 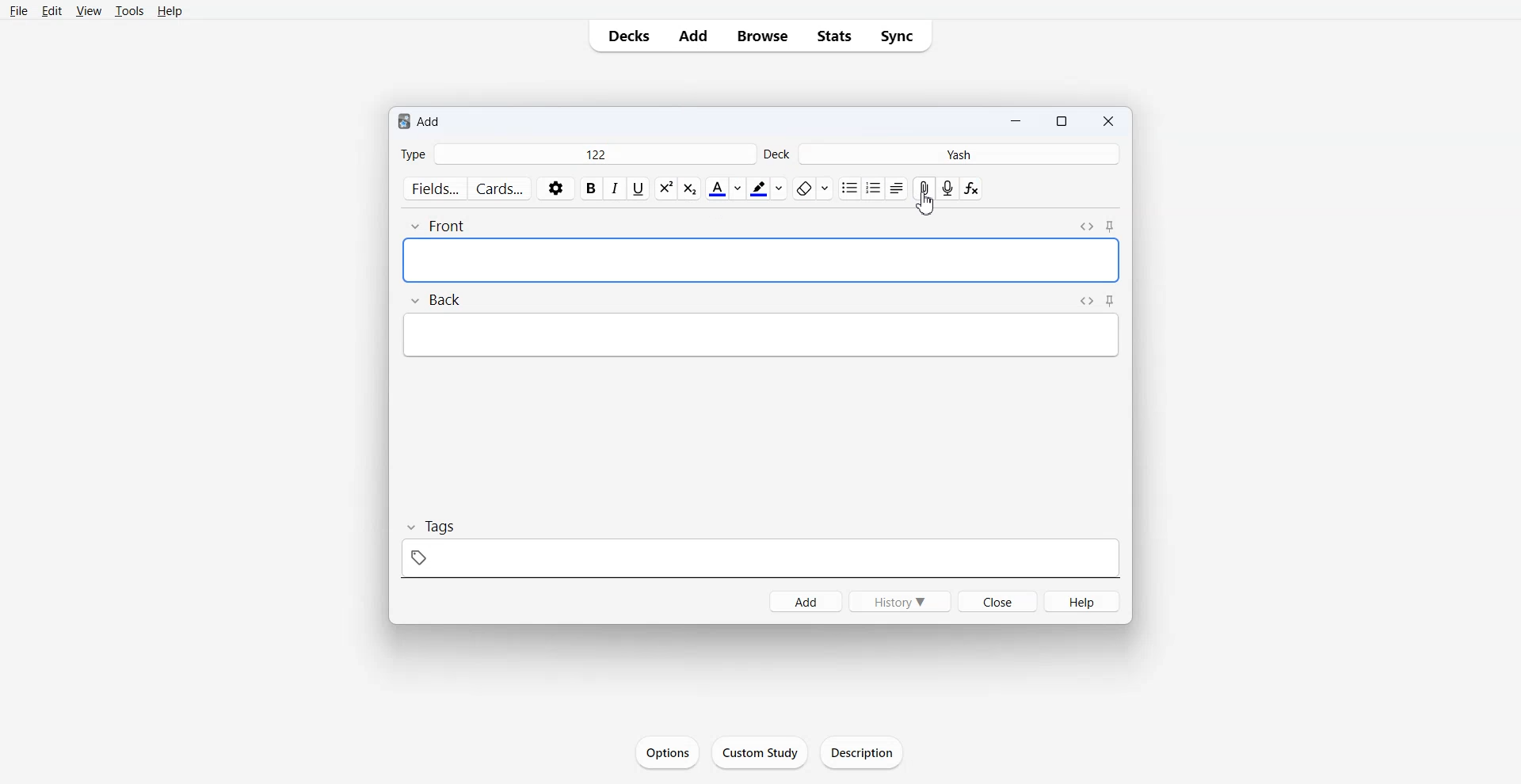 What do you see at coordinates (924, 205) in the screenshot?
I see `cursor` at bounding box center [924, 205].